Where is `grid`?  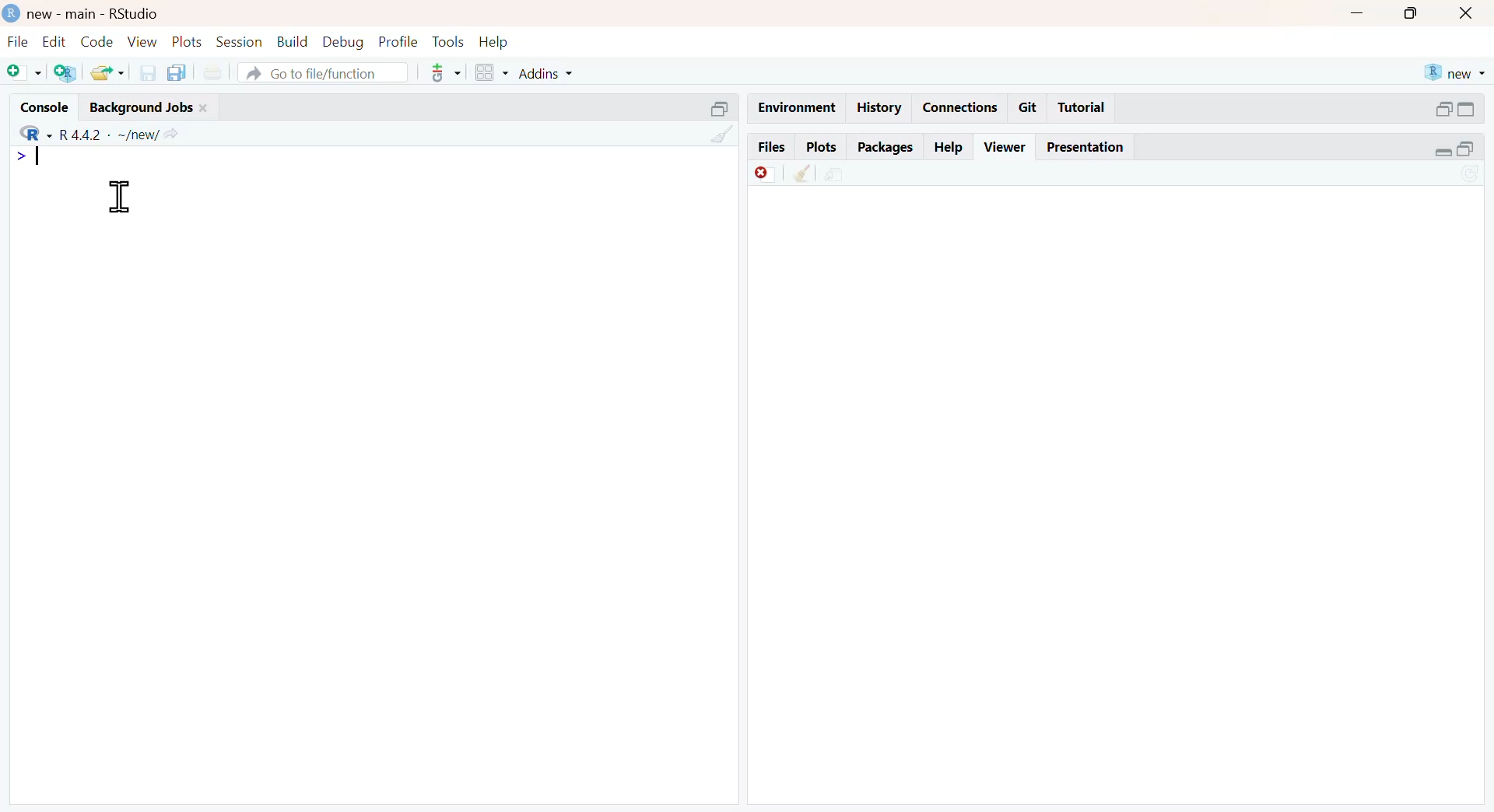
grid is located at coordinates (493, 72).